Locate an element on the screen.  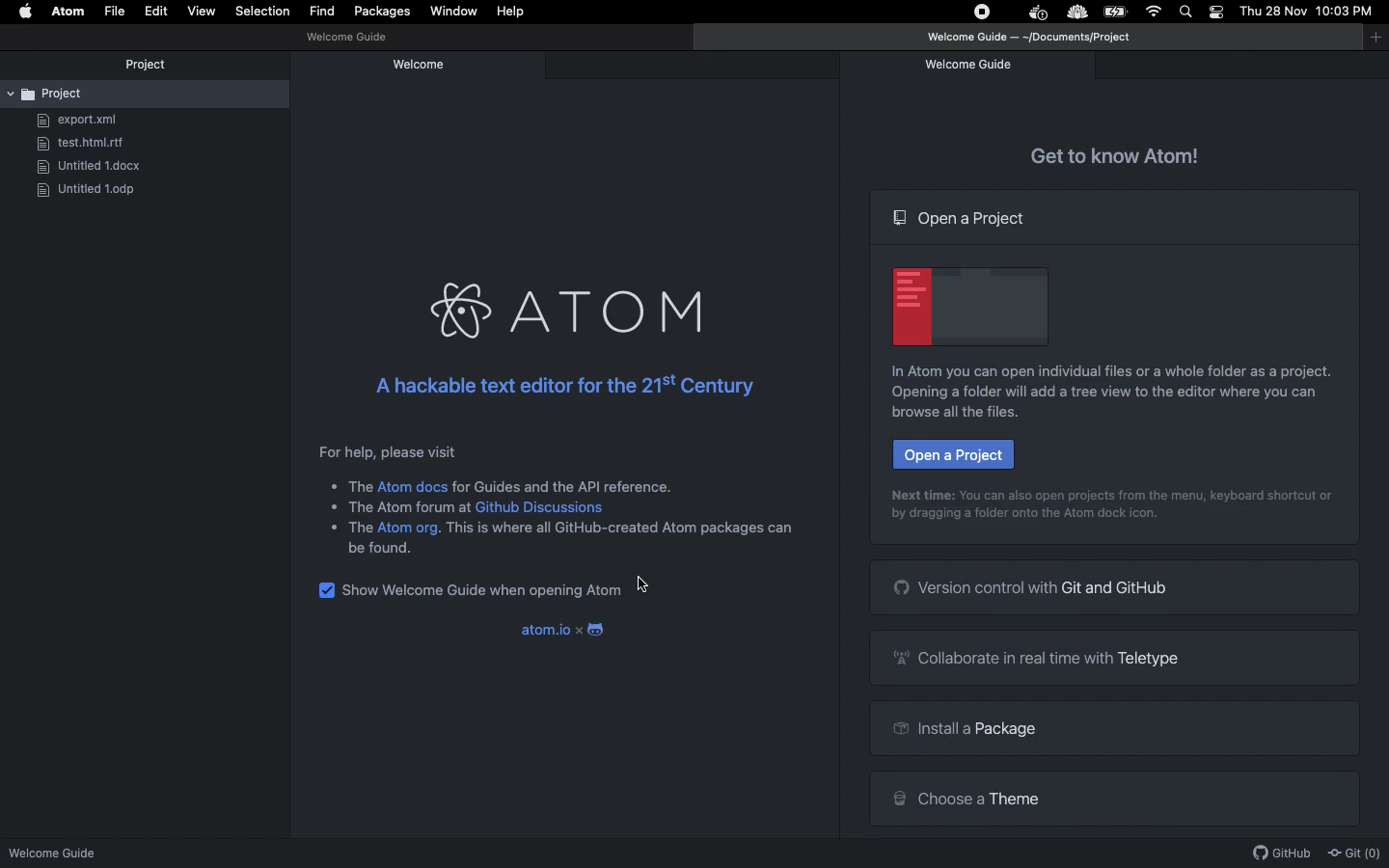
atom.io  is located at coordinates (542, 629).